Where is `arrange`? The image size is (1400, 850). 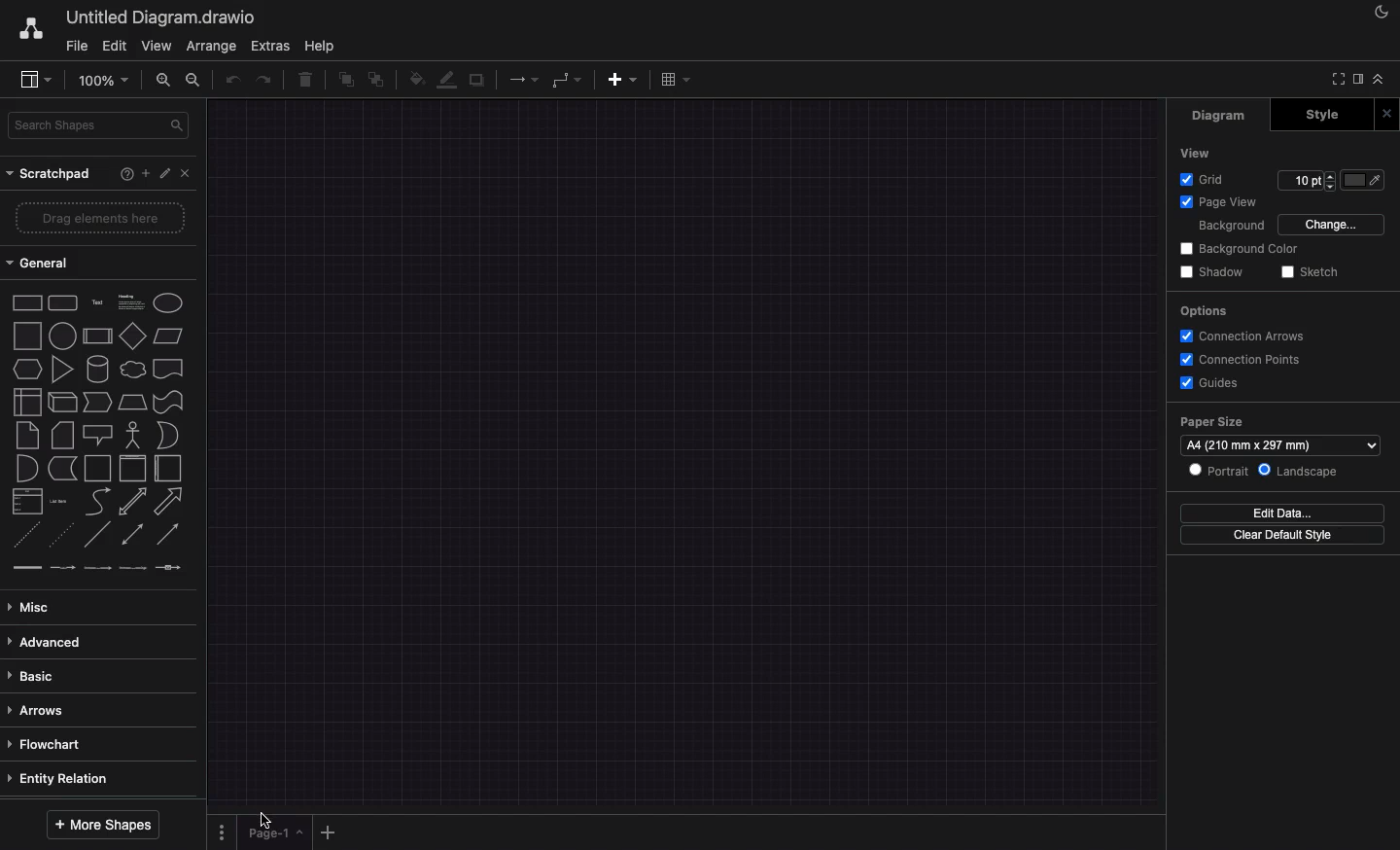 arrange is located at coordinates (212, 46).